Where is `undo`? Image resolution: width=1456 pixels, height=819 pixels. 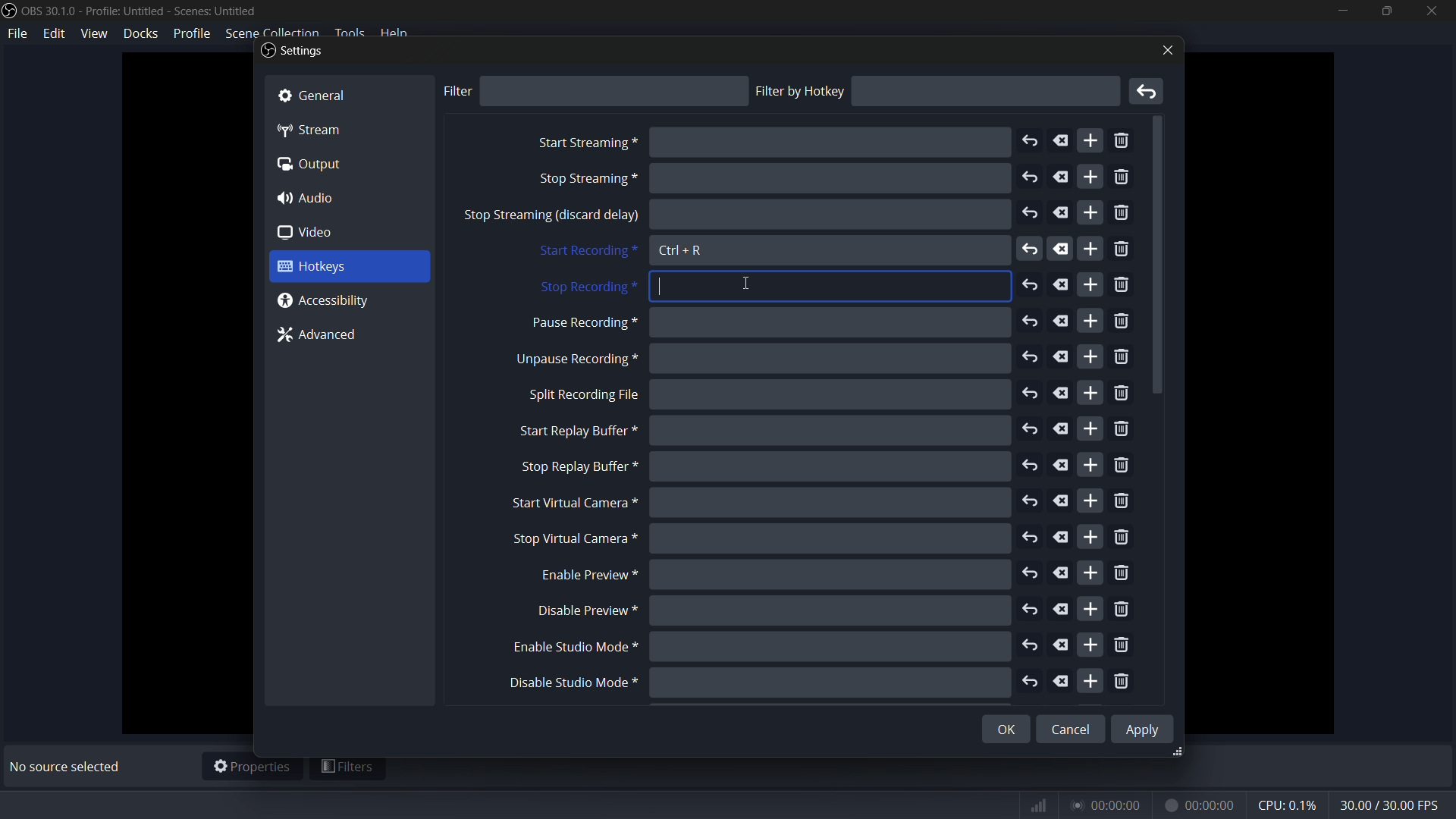 undo is located at coordinates (1031, 322).